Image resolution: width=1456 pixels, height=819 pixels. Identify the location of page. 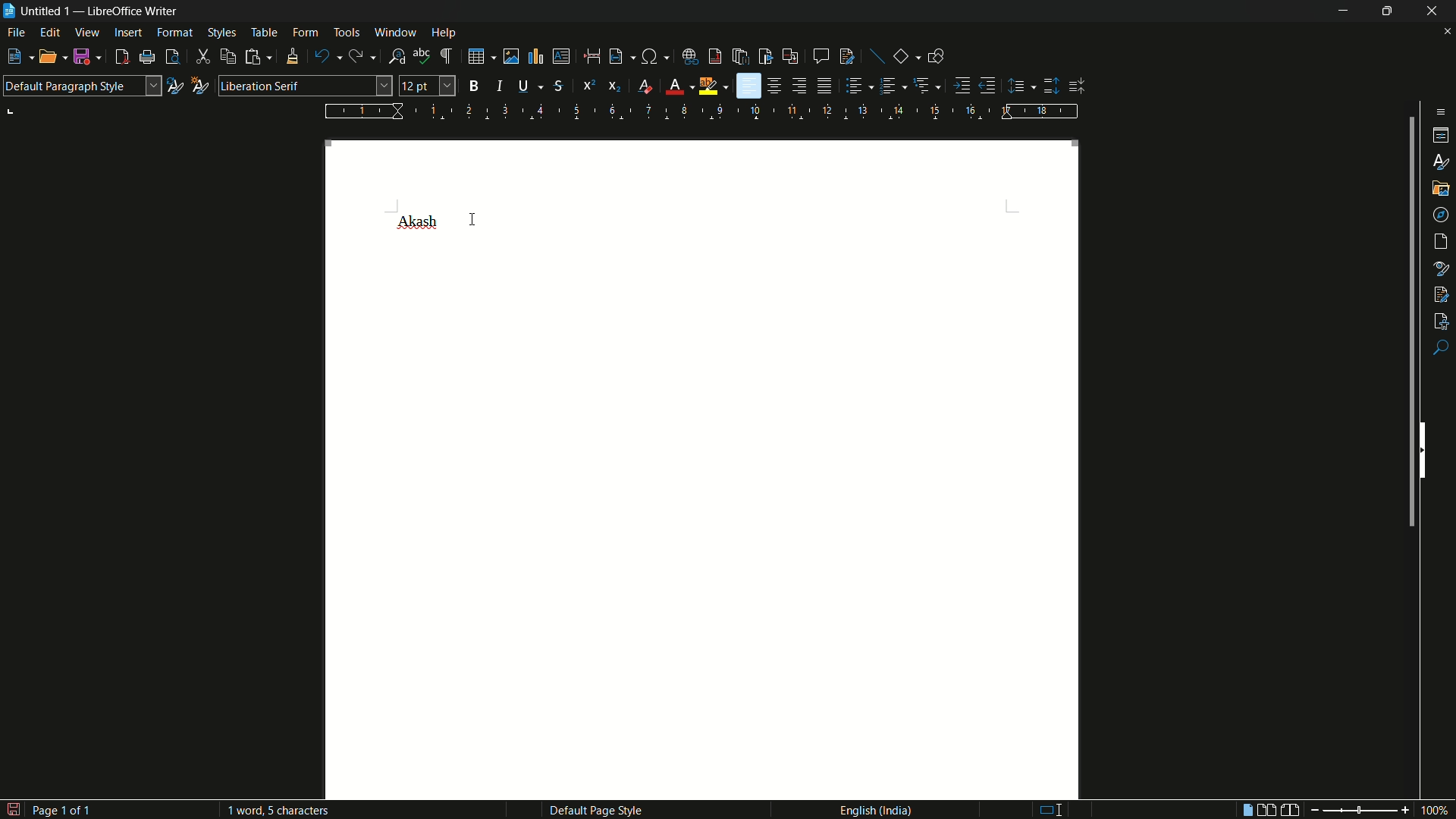
(1442, 242).